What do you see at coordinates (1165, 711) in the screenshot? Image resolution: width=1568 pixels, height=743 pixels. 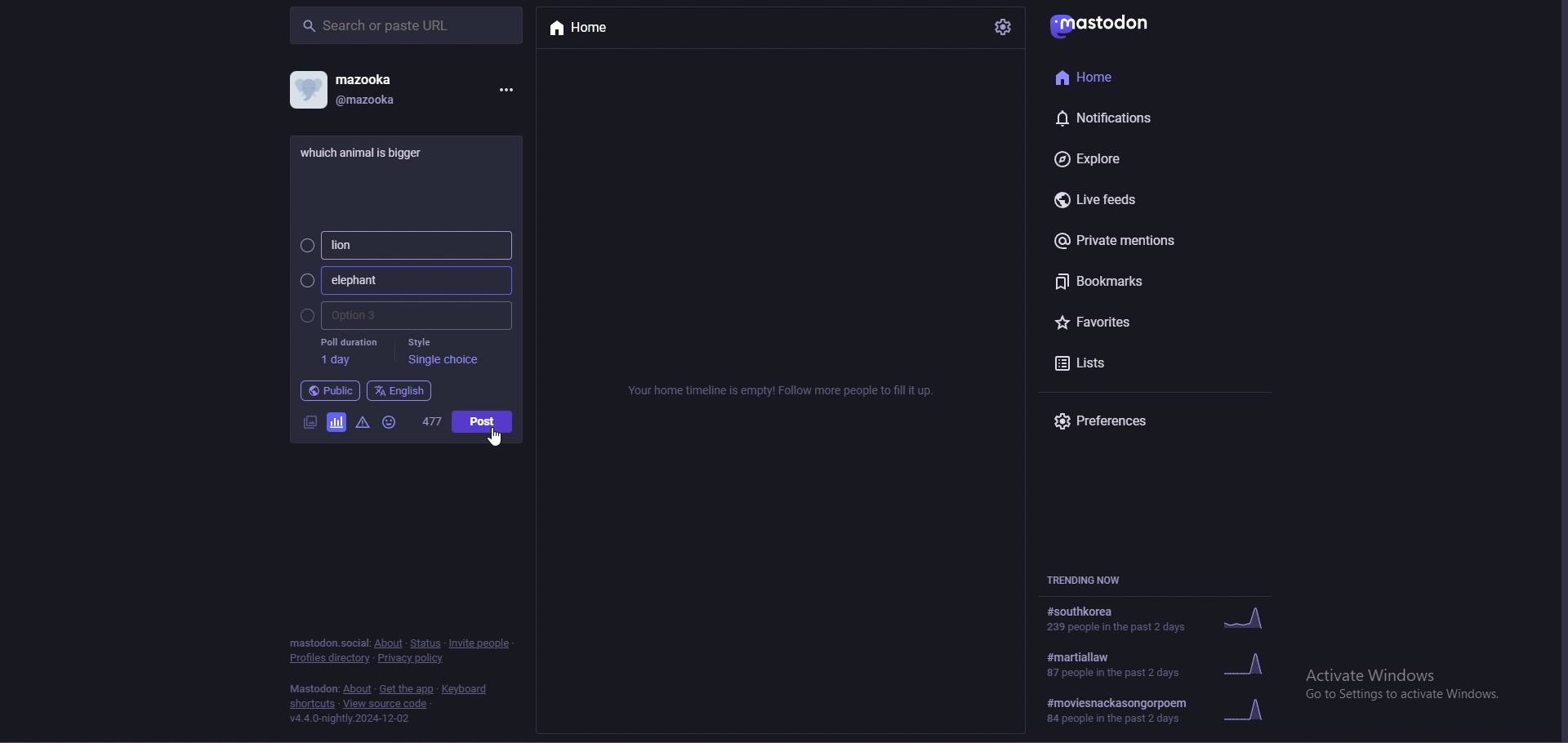 I see `#moviesnackasongorpoem` at bounding box center [1165, 711].